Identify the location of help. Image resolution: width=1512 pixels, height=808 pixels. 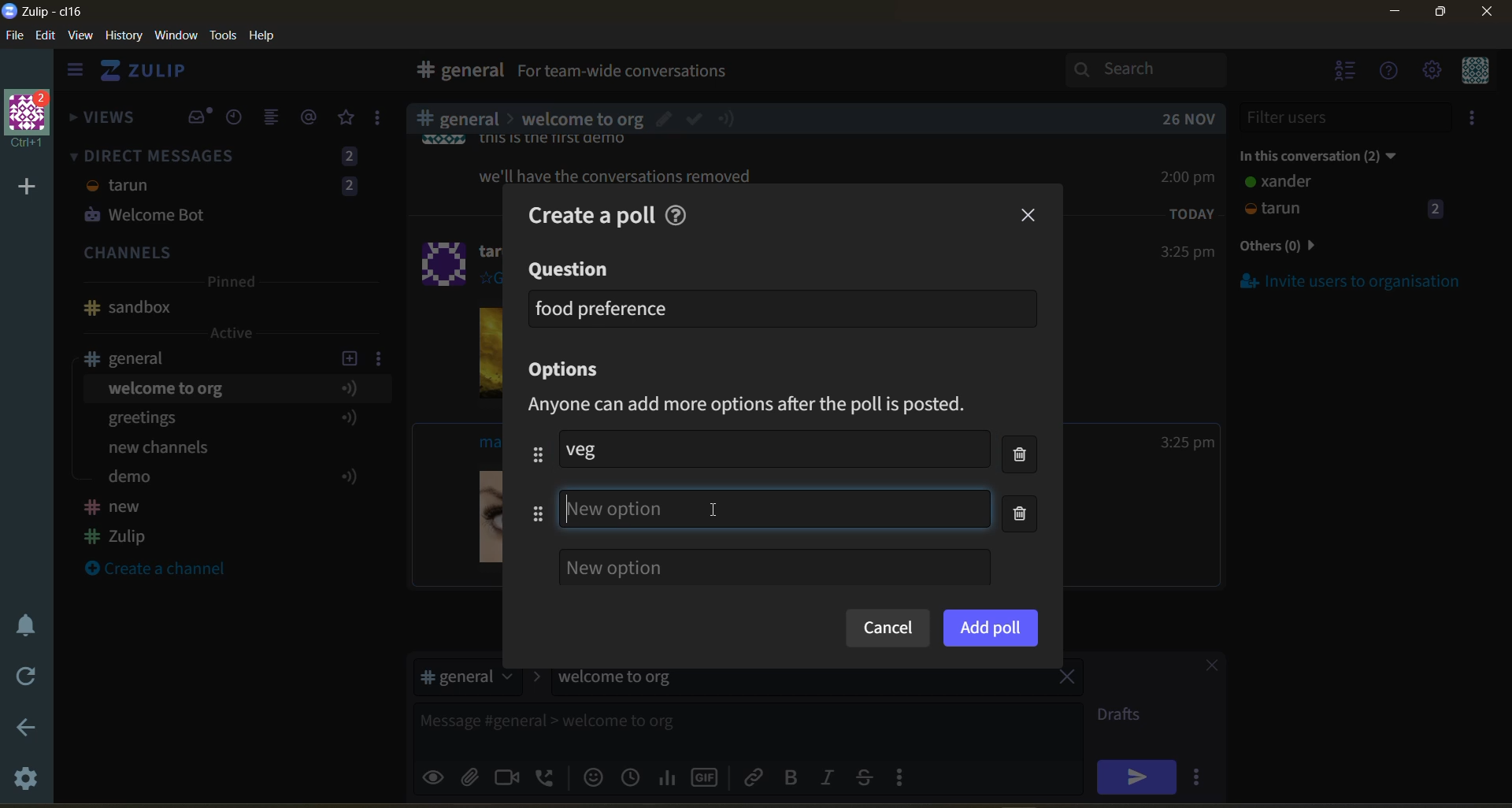
(268, 36).